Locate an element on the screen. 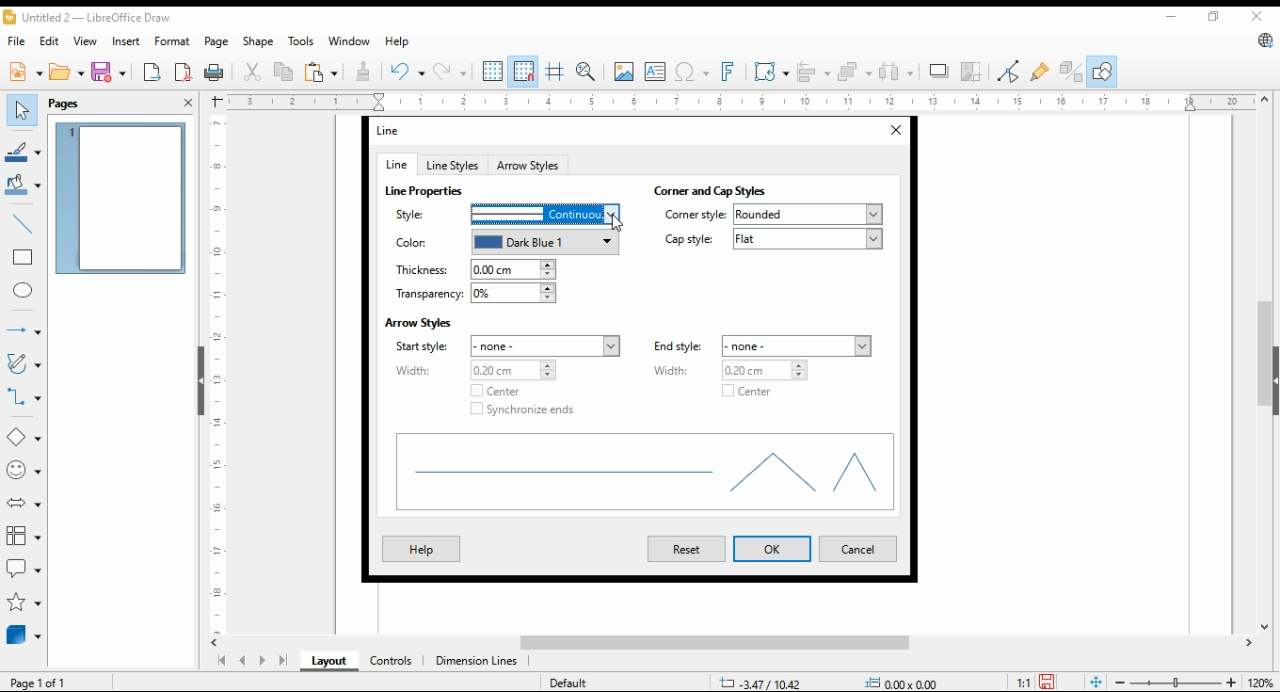 The width and height of the screenshot is (1280, 692). start style is located at coordinates (510, 346).